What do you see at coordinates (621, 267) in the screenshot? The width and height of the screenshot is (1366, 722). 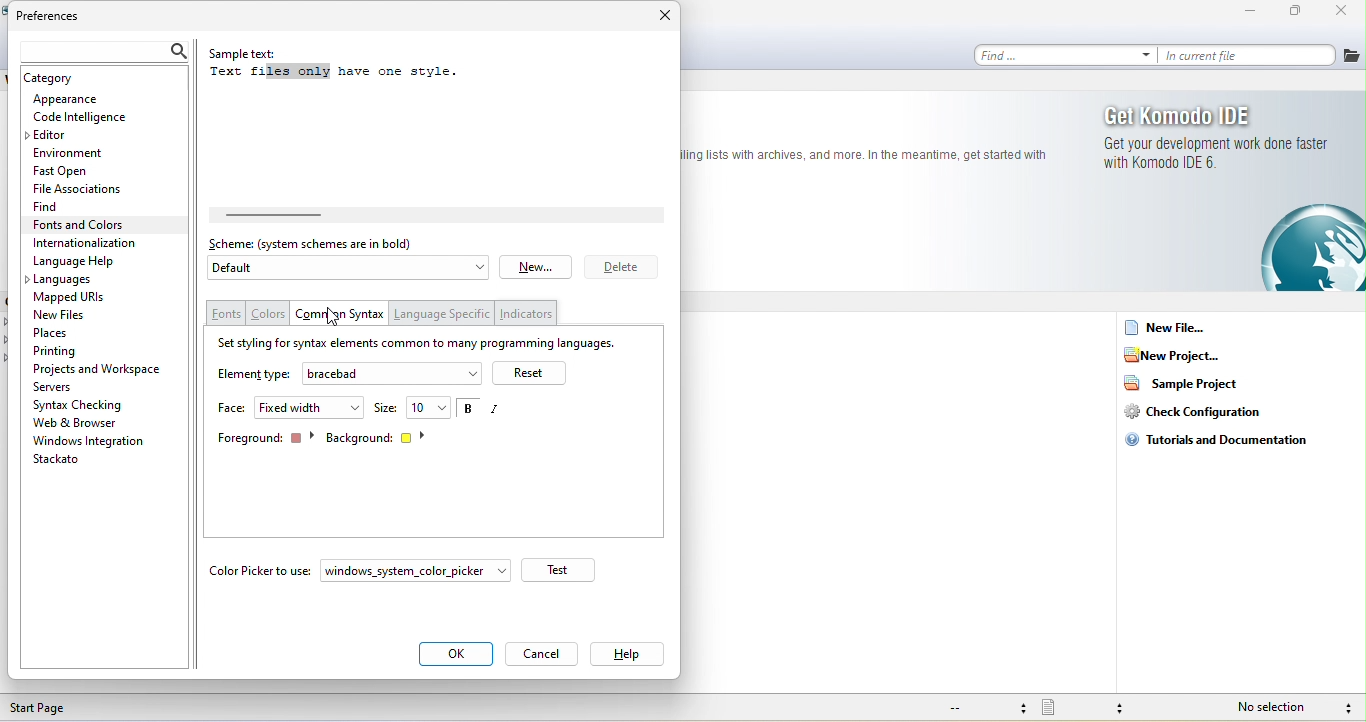 I see `delete` at bounding box center [621, 267].